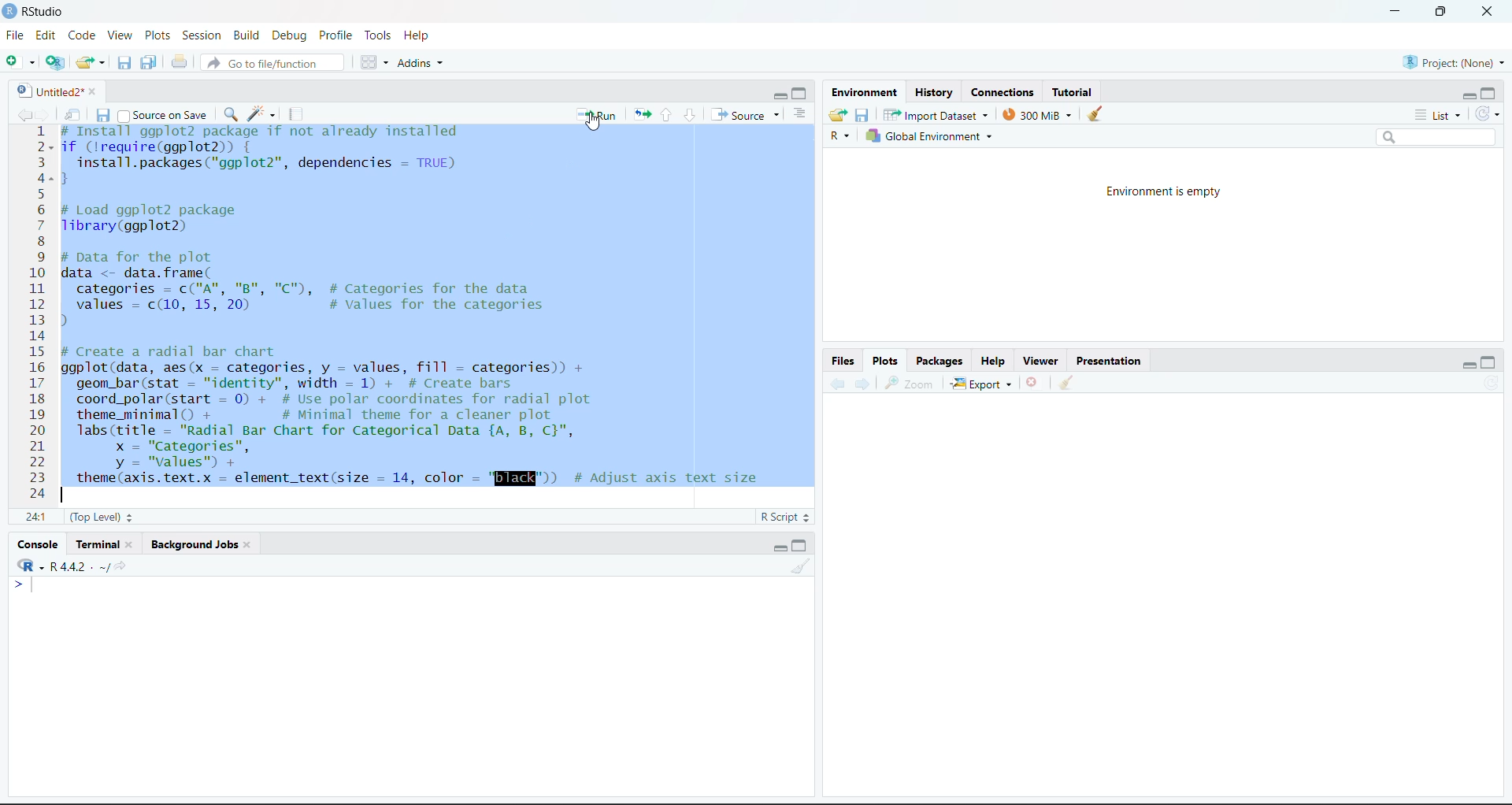  I want to click on Environment, so click(862, 94).